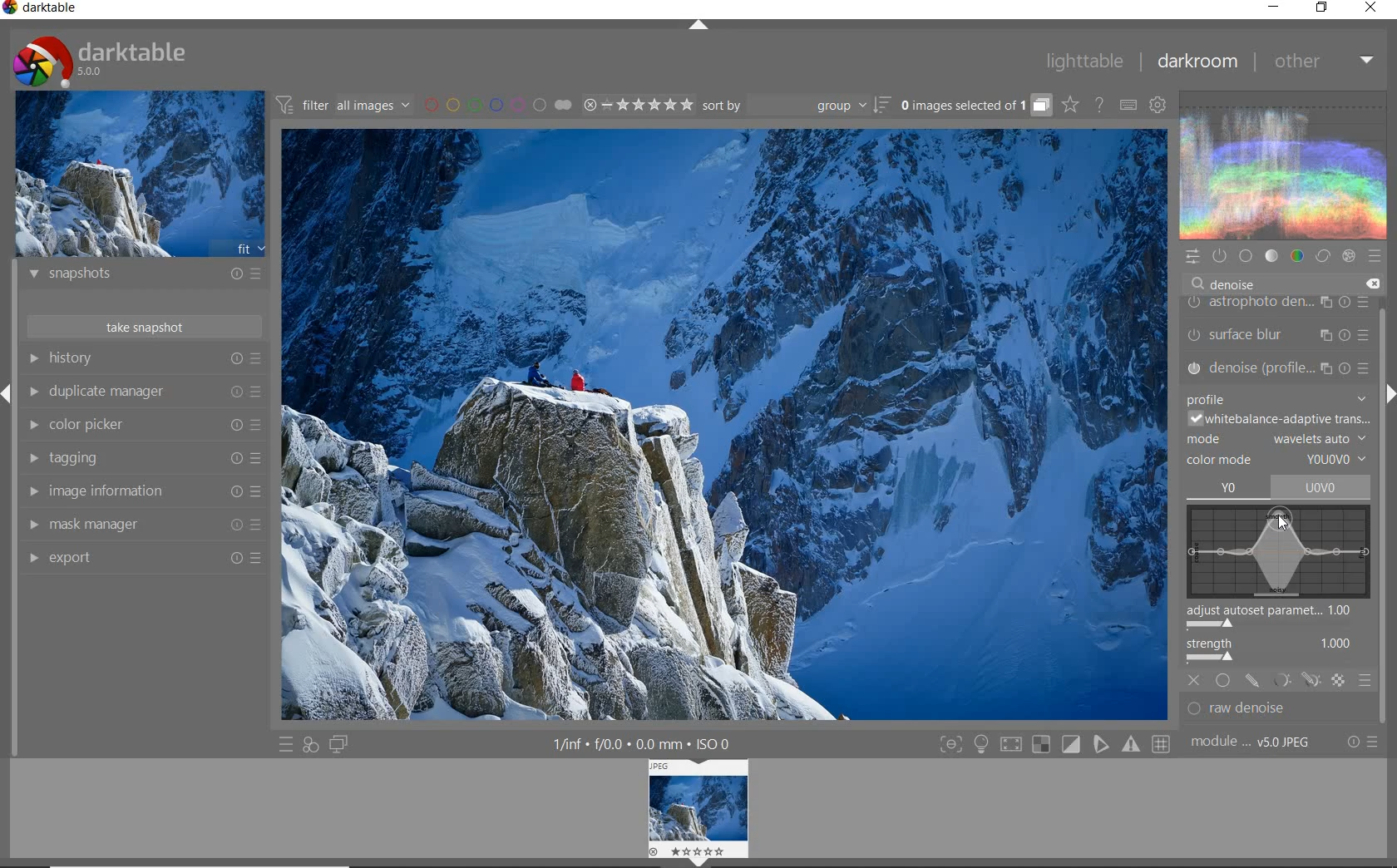 Image resolution: width=1397 pixels, height=868 pixels. Describe the element at coordinates (1348, 256) in the screenshot. I see `effect` at that location.